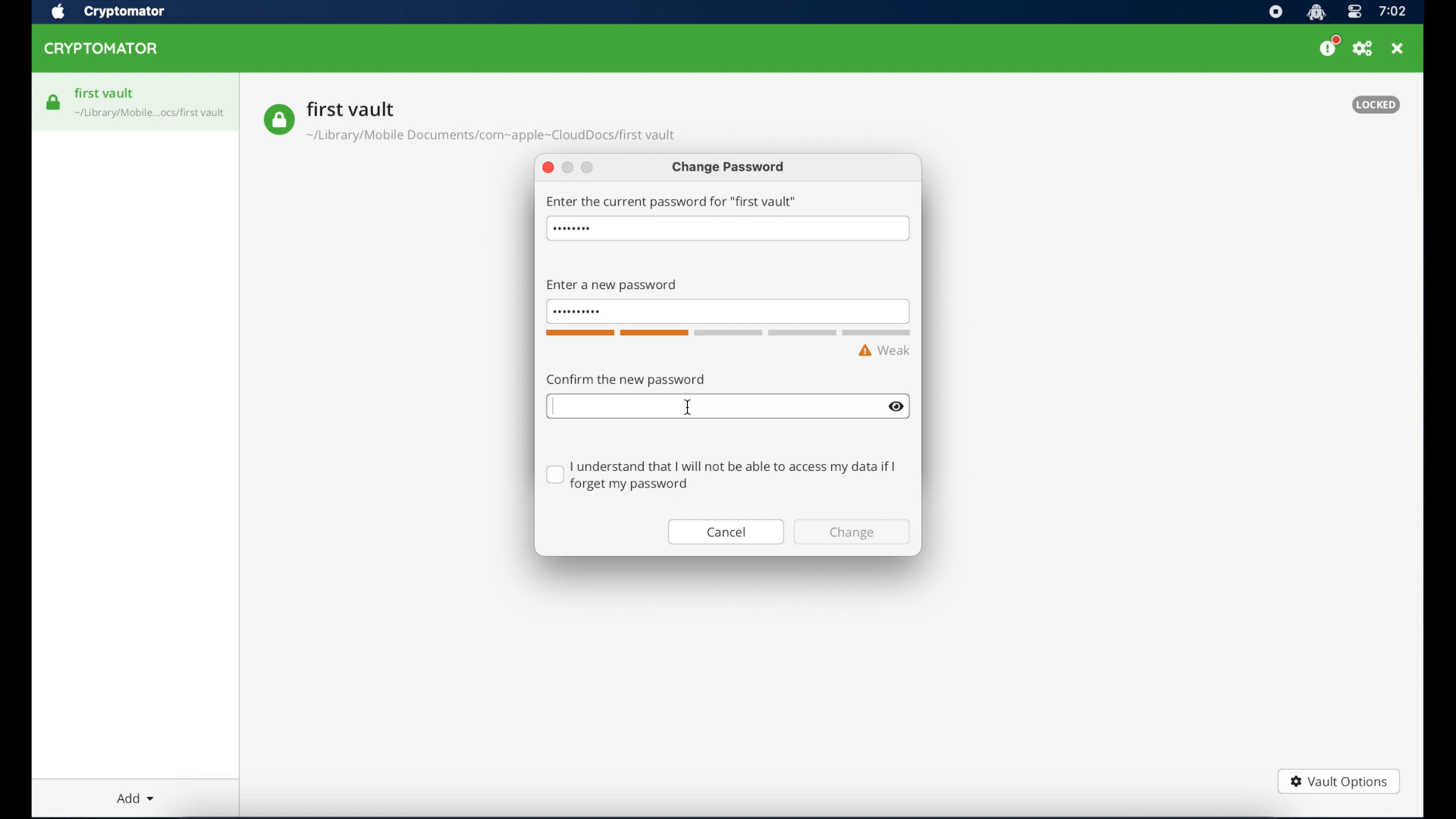 The image size is (1456, 819). What do you see at coordinates (1376, 105) in the screenshot?
I see `locked` at bounding box center [1376, 105].